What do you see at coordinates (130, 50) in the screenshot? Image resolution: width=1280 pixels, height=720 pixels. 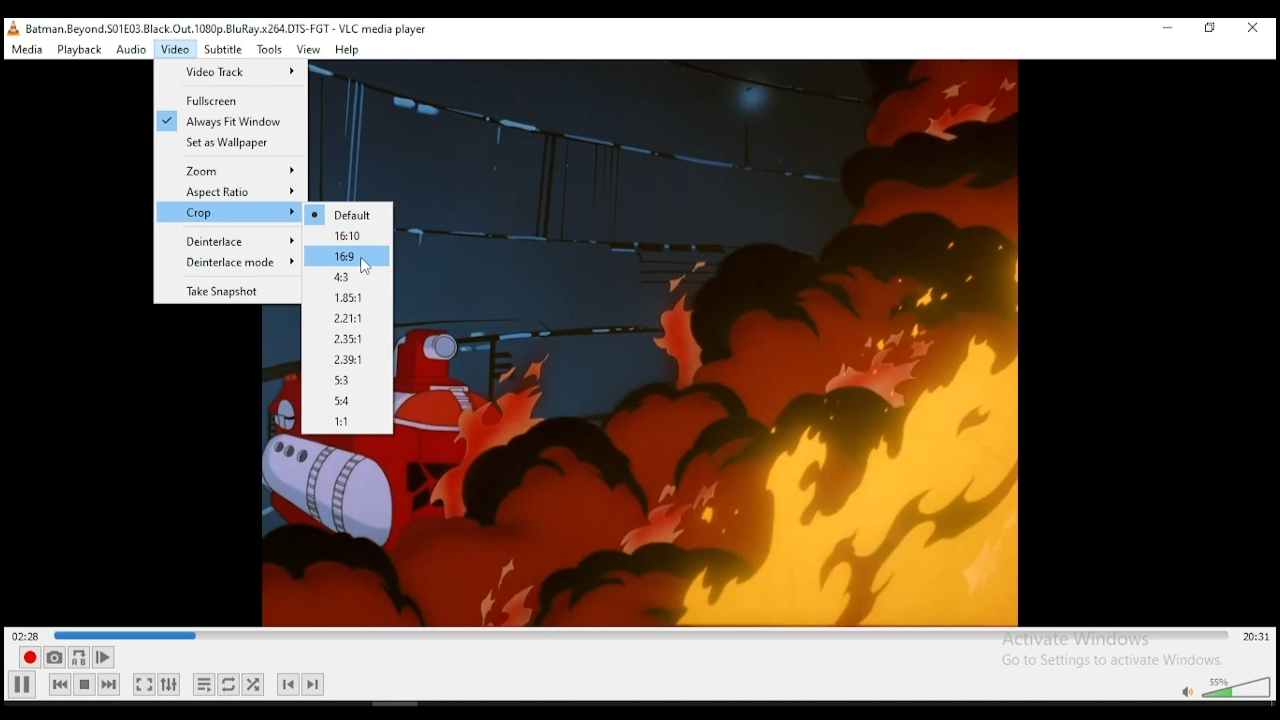 I see `audio` at bounding box center [130, 50].